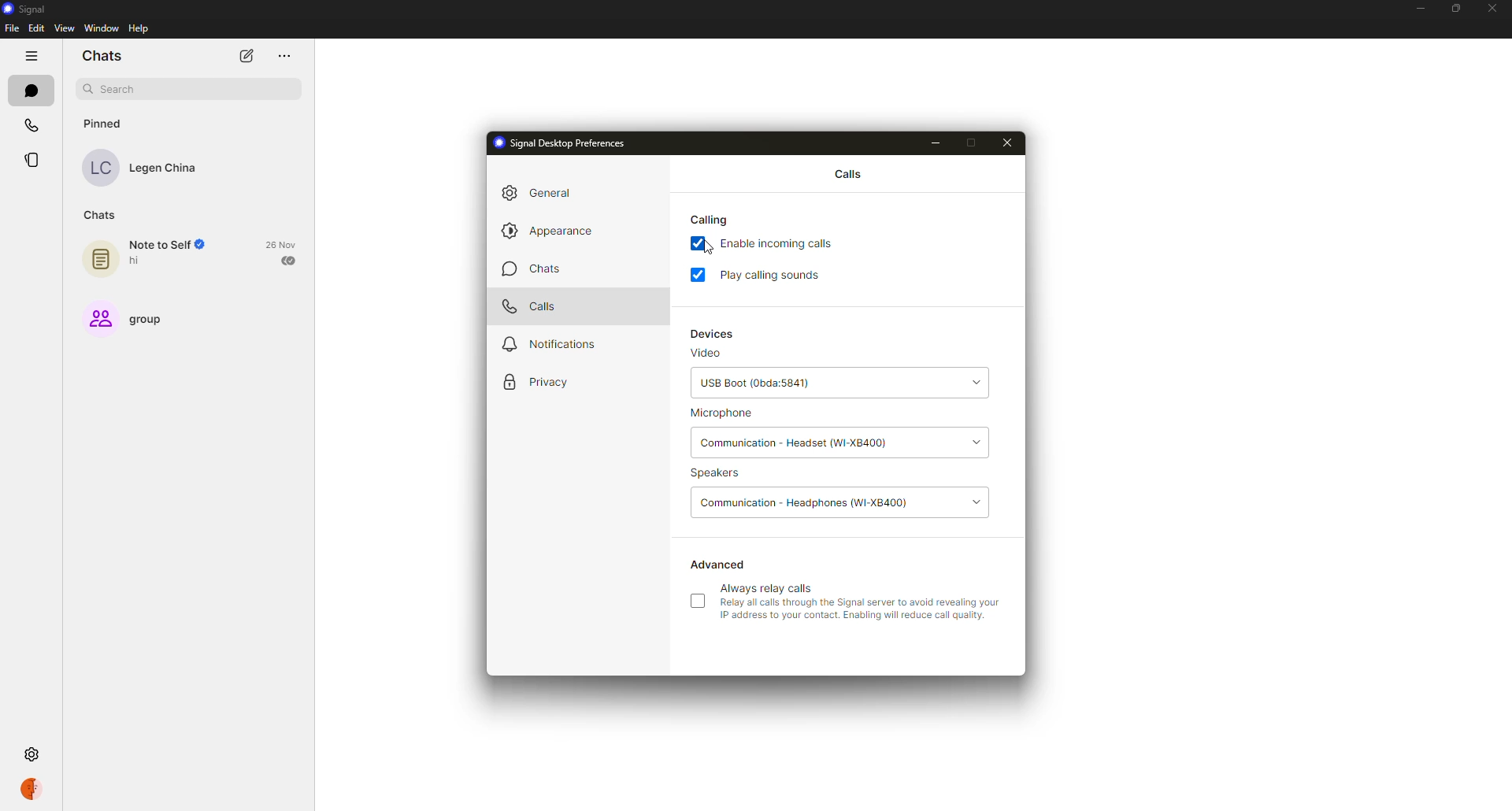  What do you see at coordinates (717, 473) in the screenshot?
I see `speakers` at bounding box center [717, 473].